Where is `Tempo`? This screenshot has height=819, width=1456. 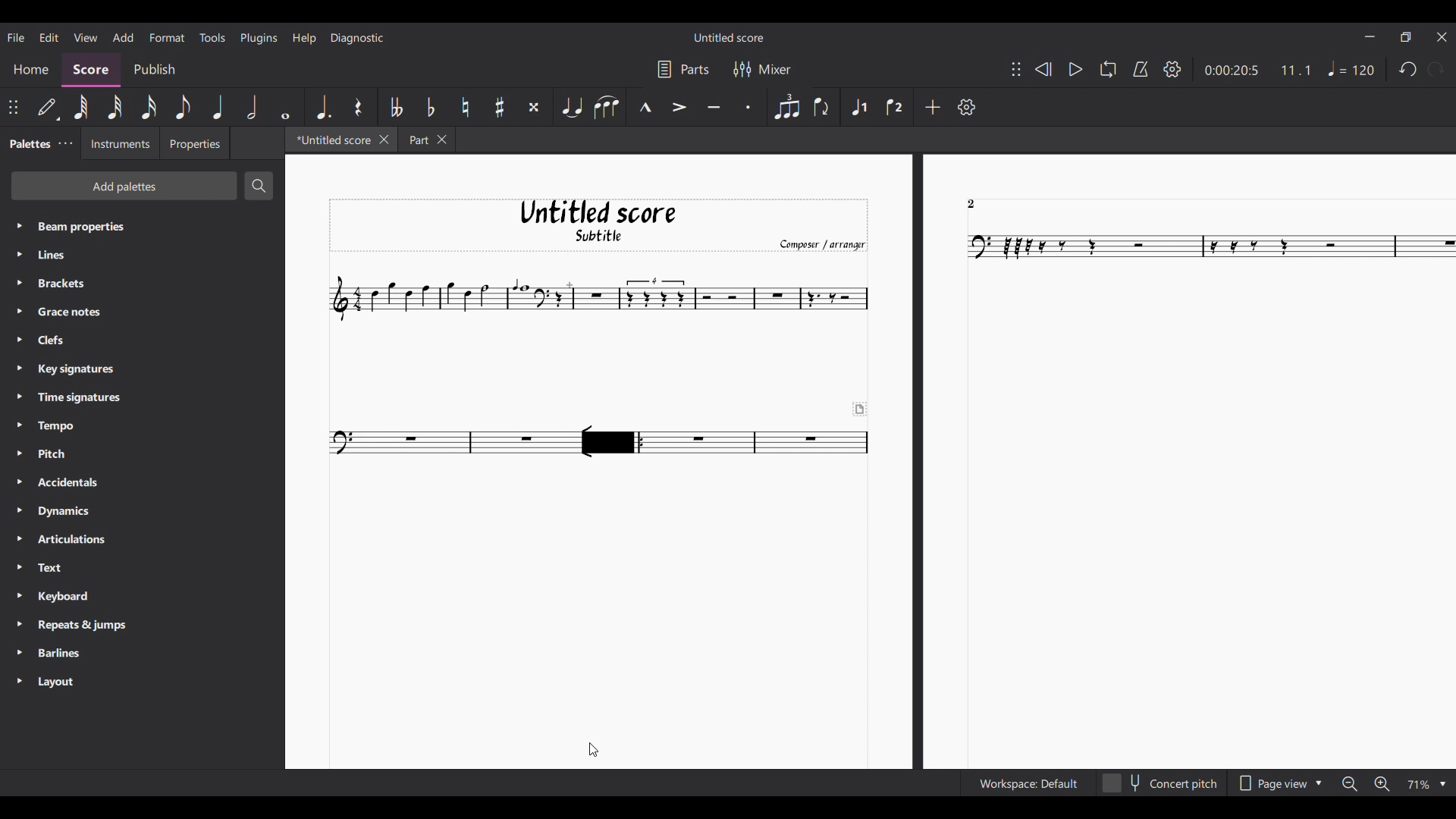 Tempo is located at coordinates (1351, 68).